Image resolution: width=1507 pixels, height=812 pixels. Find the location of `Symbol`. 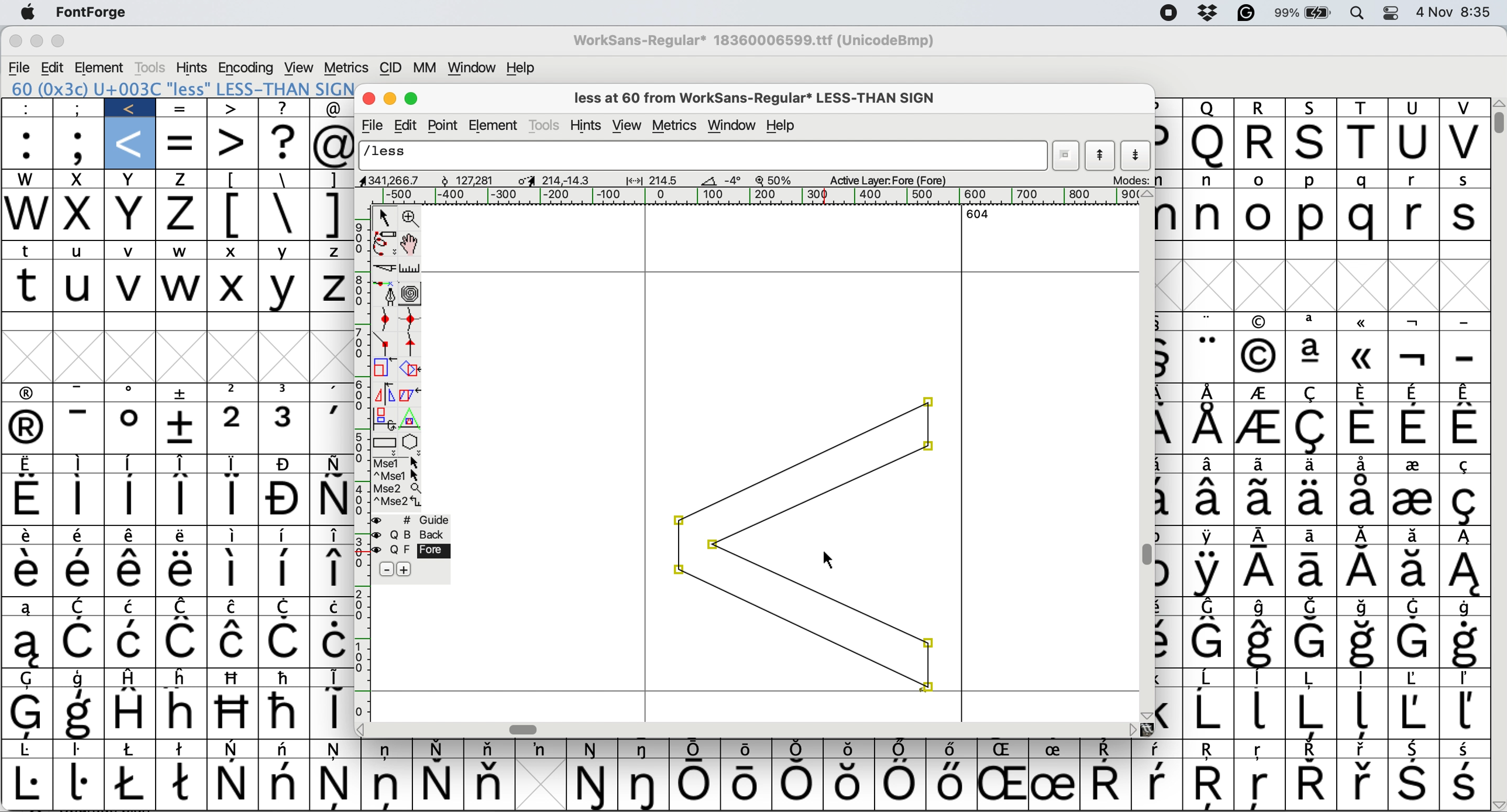

Symbol is located at coordinates (1413, 749).